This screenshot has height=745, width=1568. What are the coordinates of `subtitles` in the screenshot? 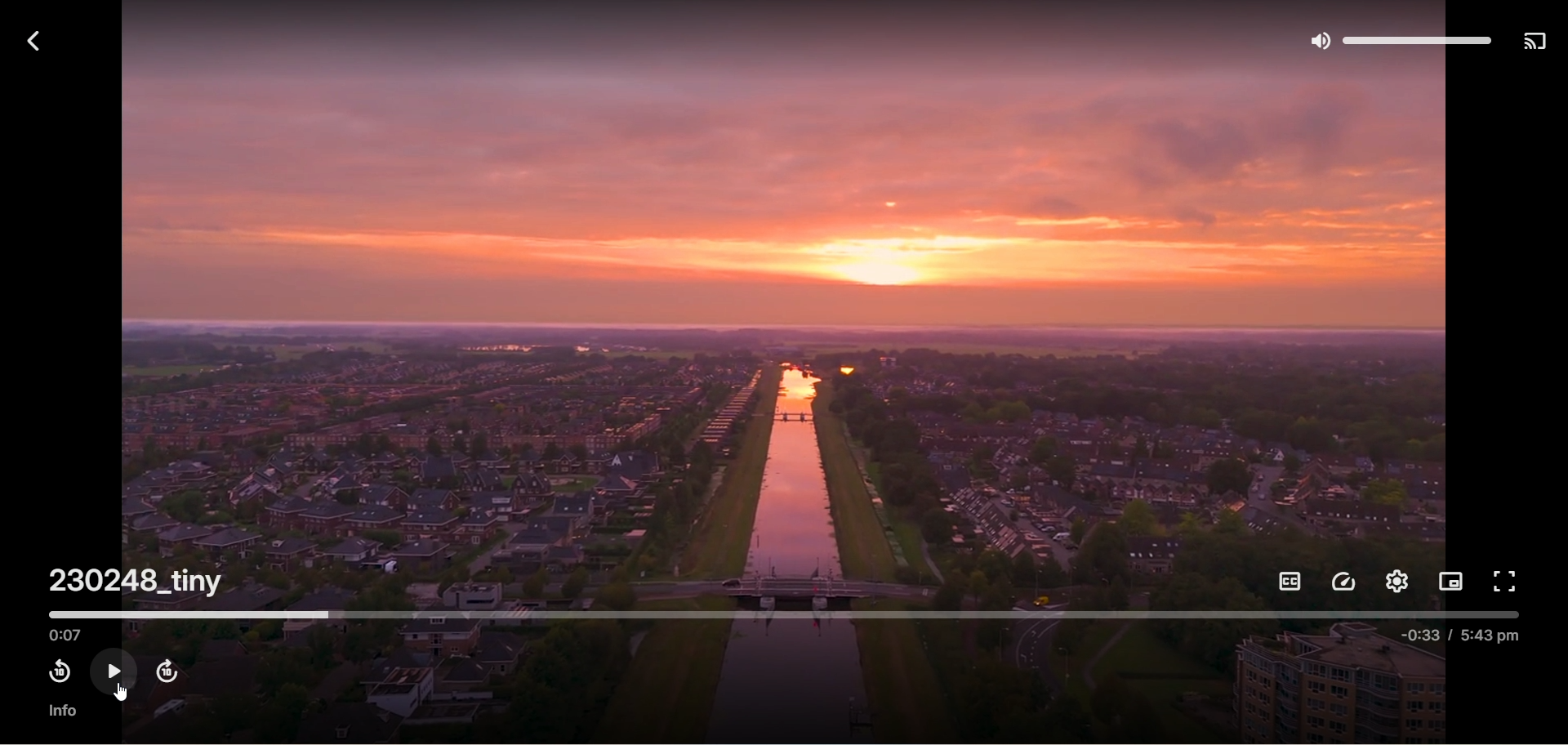 It's located at (1286, 582).